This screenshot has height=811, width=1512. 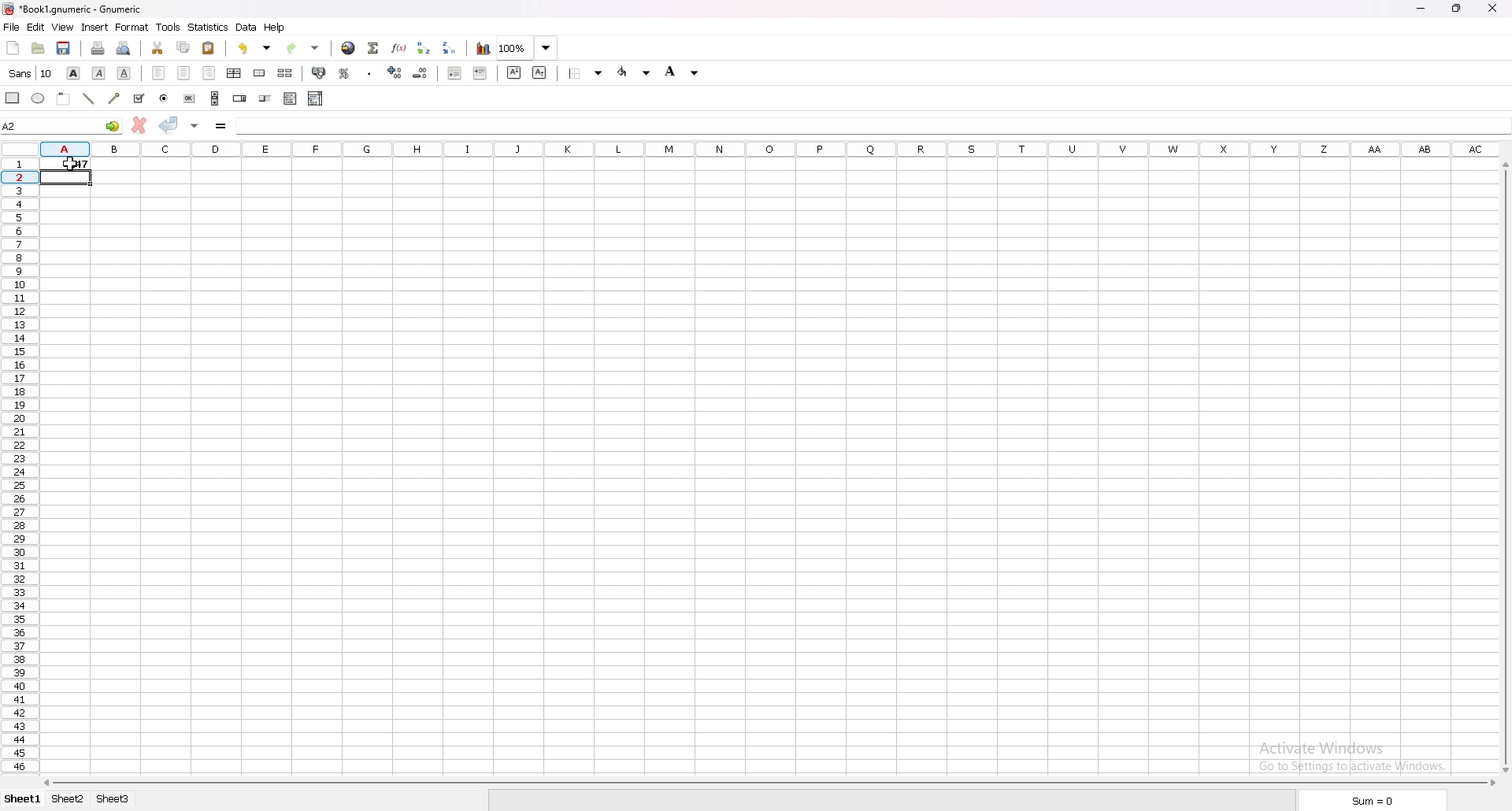 I want to click on superscript, so click(x=515, y=73).